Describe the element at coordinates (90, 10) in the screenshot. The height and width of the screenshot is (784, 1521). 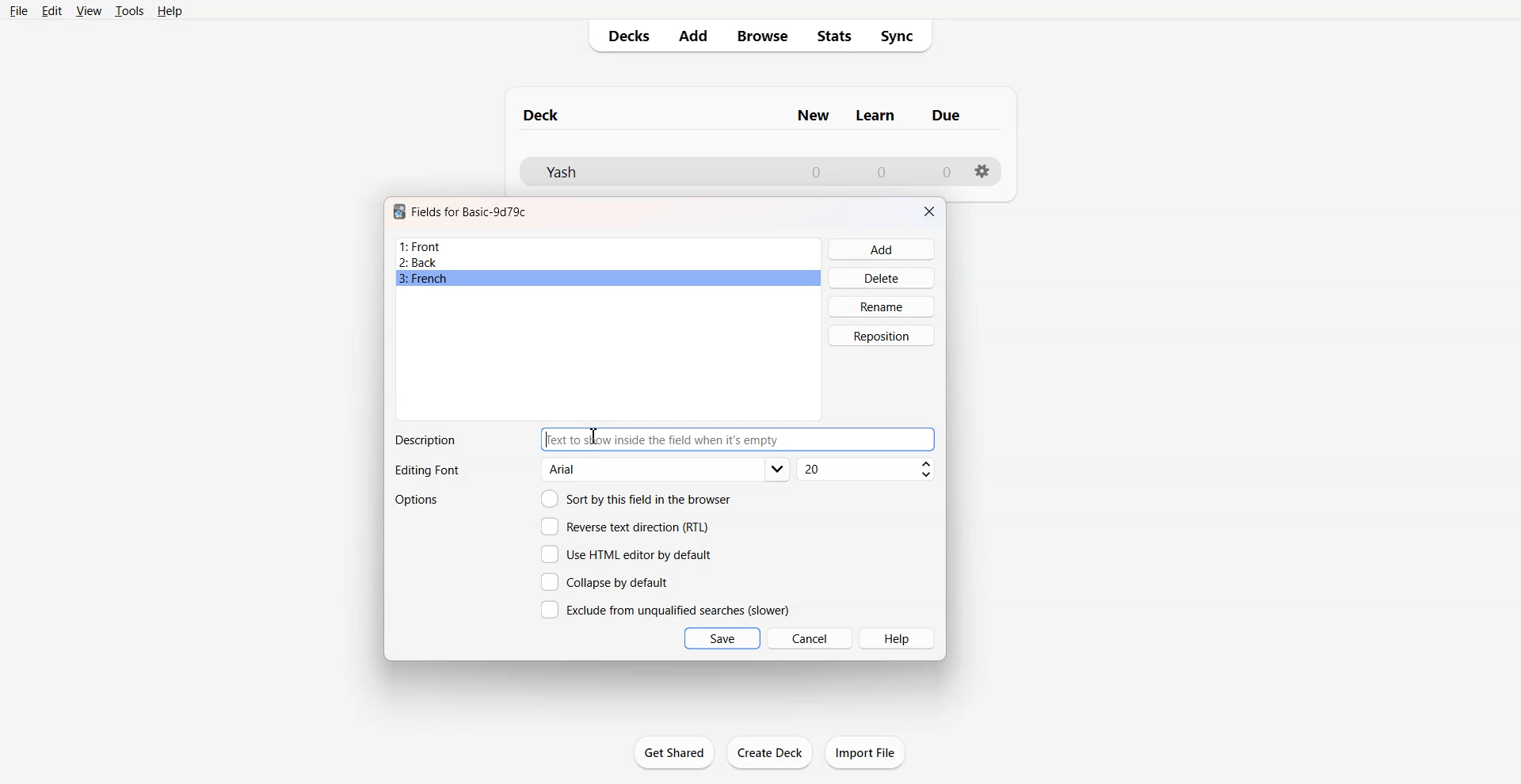
I see `View` at that location.